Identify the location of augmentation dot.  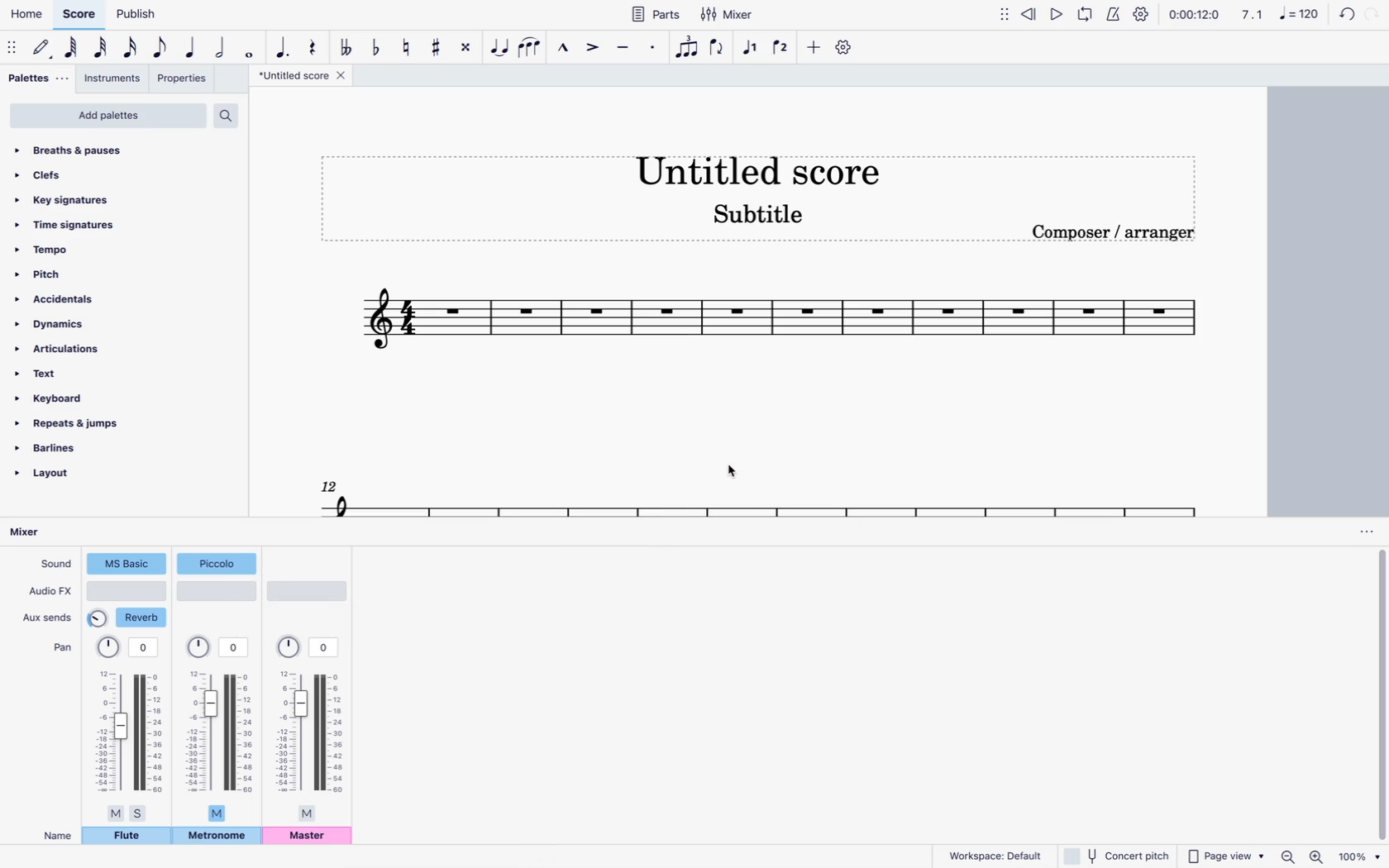
(281, 43).